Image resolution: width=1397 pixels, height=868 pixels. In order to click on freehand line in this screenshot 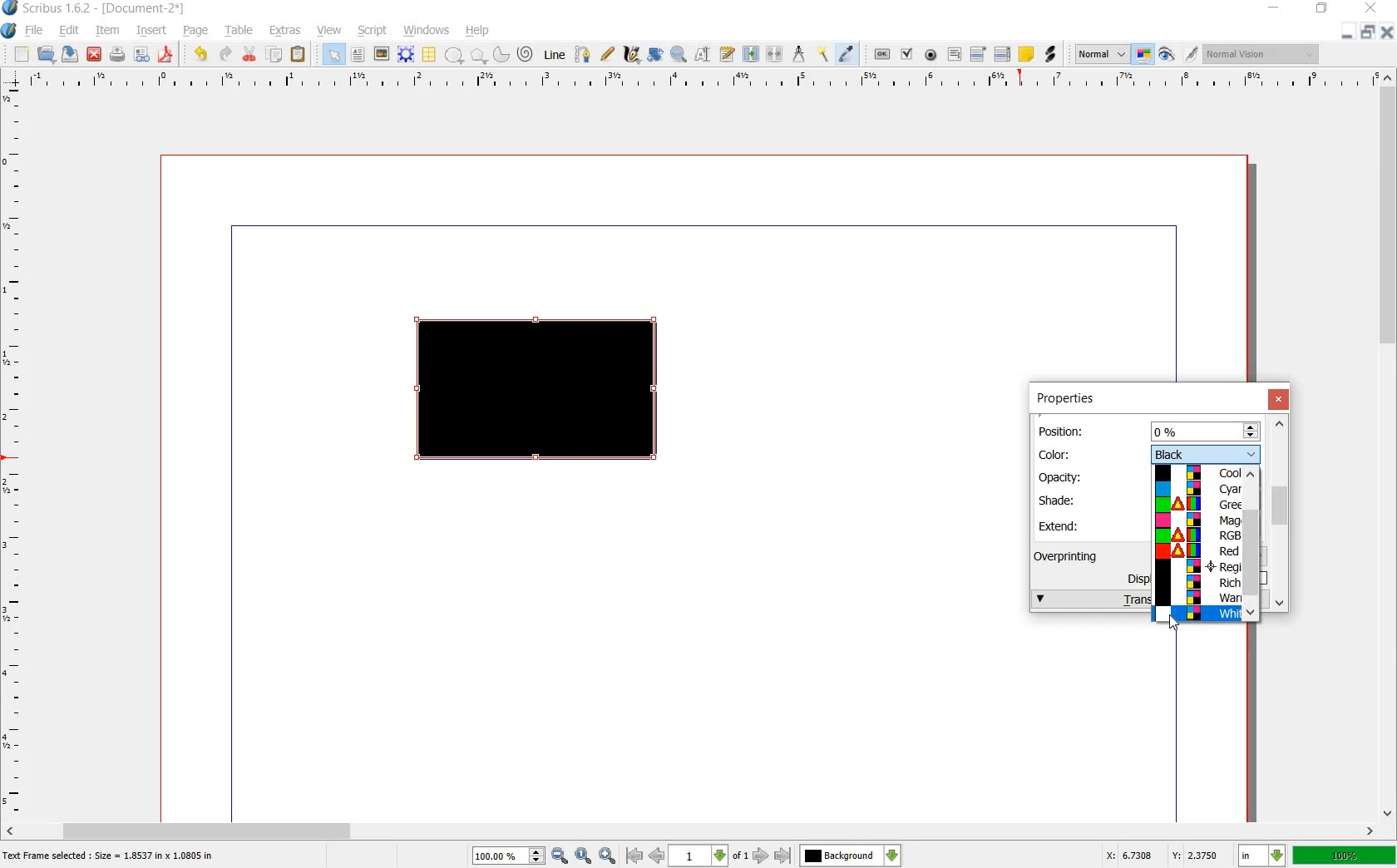, I will do `click(607, 53)`.